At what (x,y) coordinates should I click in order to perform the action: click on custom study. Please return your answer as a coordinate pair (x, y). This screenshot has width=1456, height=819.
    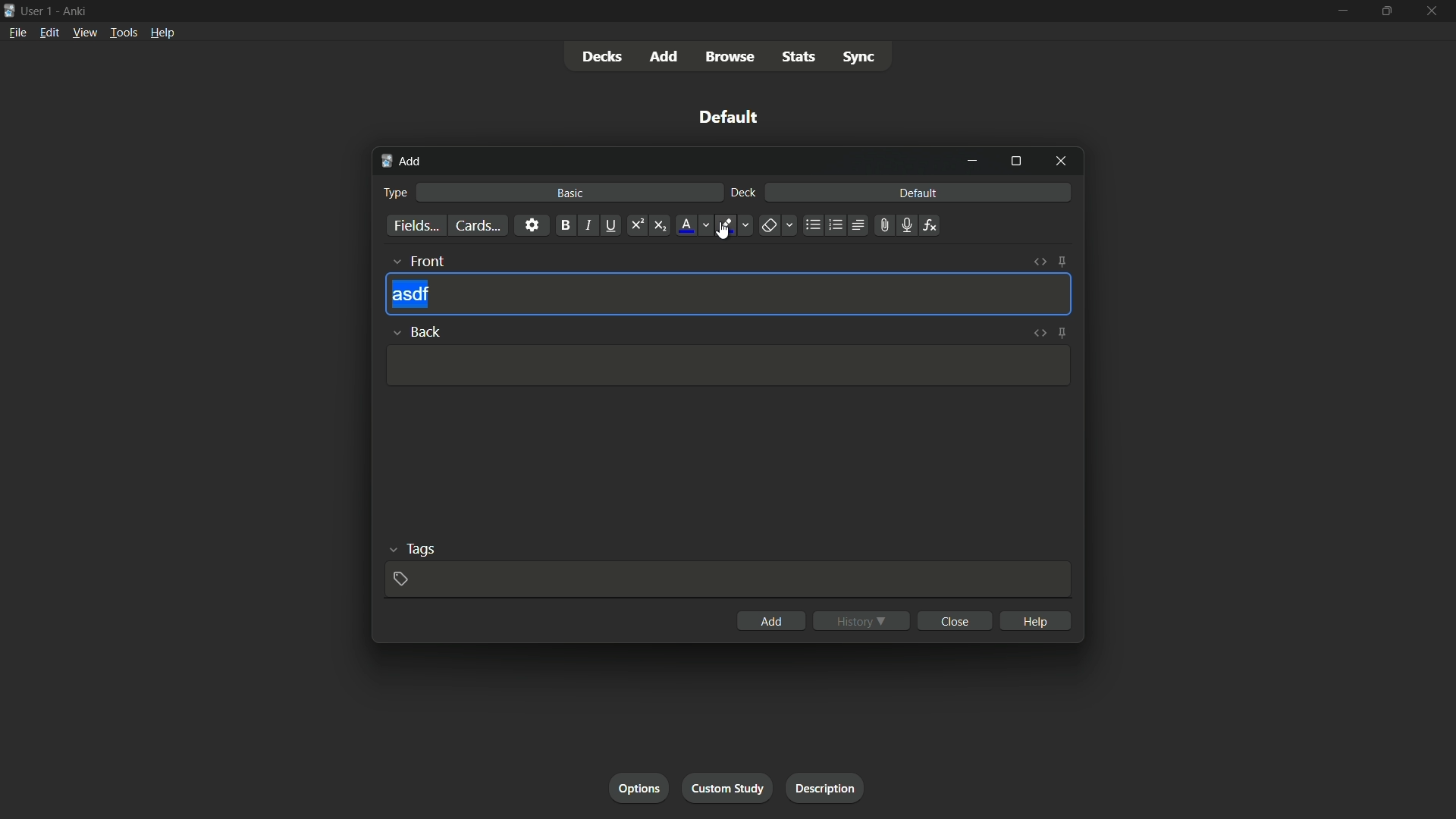
    Looking at the image, I should click on (726, 788).